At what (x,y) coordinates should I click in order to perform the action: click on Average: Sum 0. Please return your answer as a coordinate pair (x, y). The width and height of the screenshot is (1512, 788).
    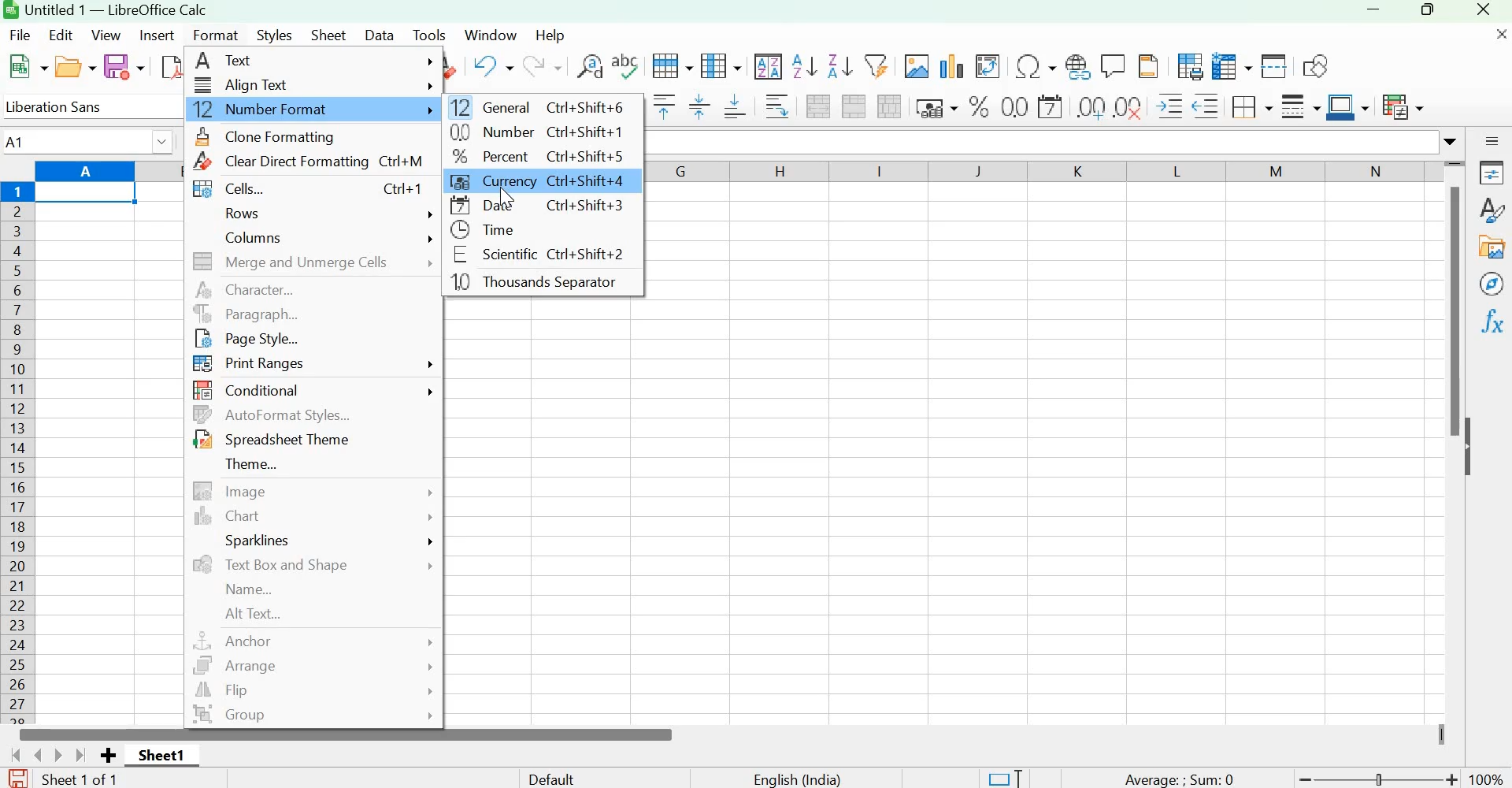
    Looking at the image, I should click on (1177, 778).